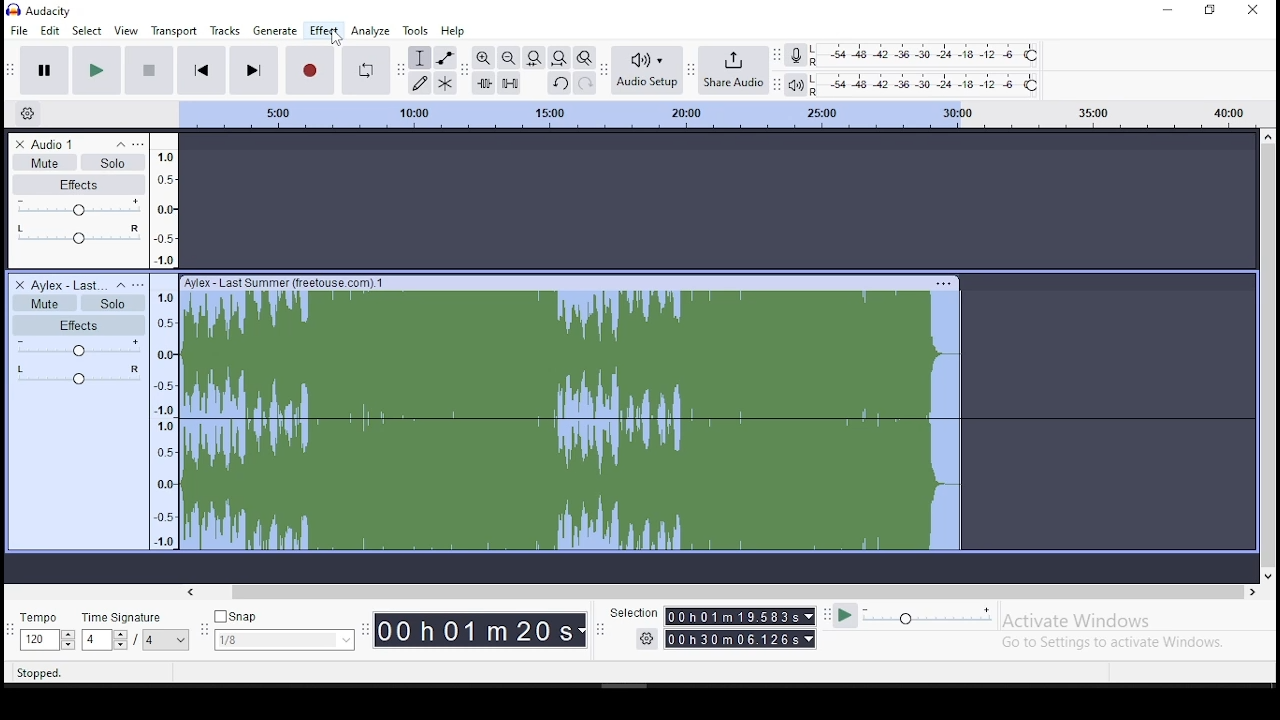 The height and width of the screenshot is (720, 1280). Describe the element at coordinates (1209, 11) in the screenshot. I see `restore` at that location.